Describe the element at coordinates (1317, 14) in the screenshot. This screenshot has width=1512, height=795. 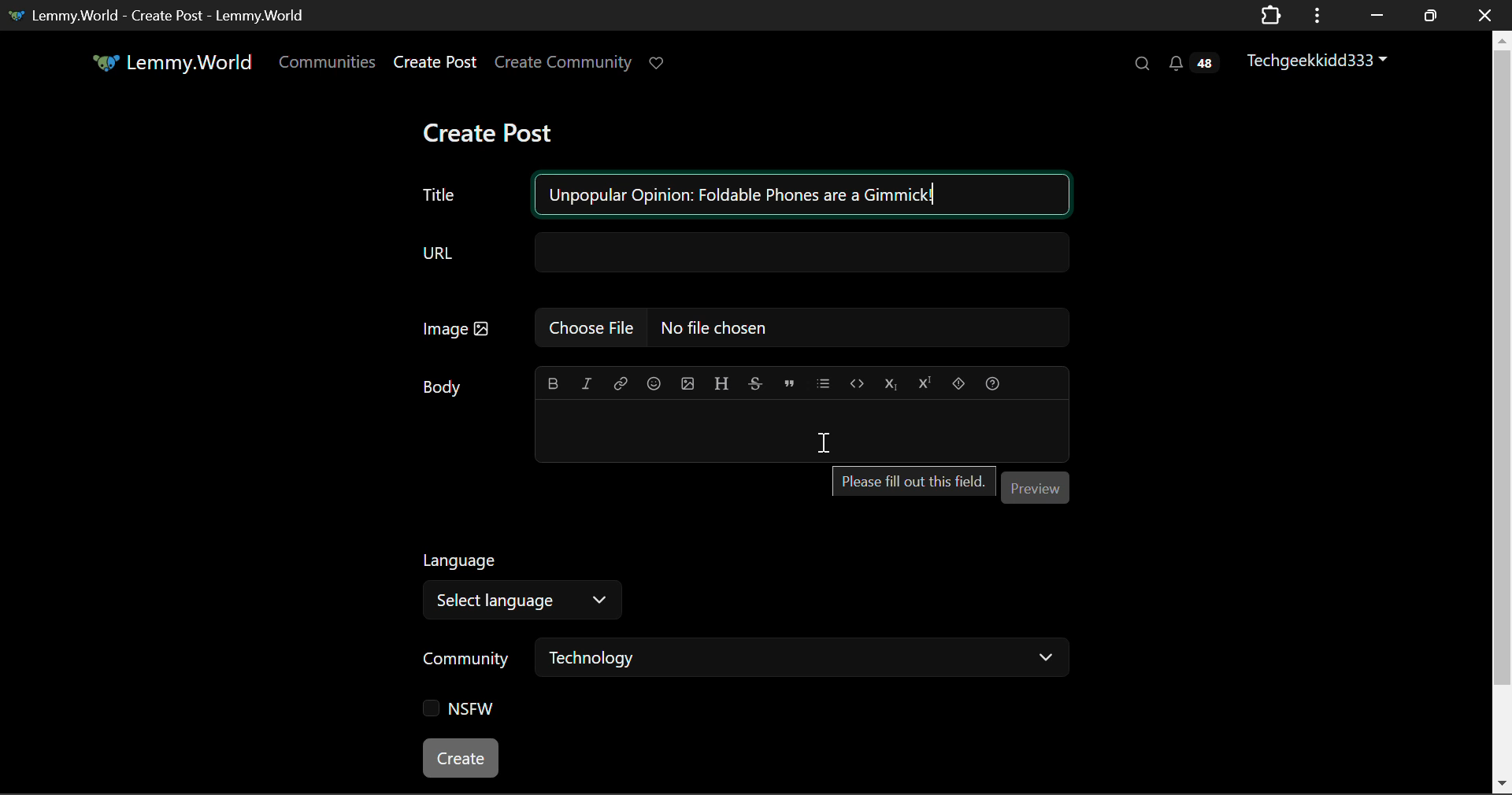
I see `Application Options Menu` at that location.